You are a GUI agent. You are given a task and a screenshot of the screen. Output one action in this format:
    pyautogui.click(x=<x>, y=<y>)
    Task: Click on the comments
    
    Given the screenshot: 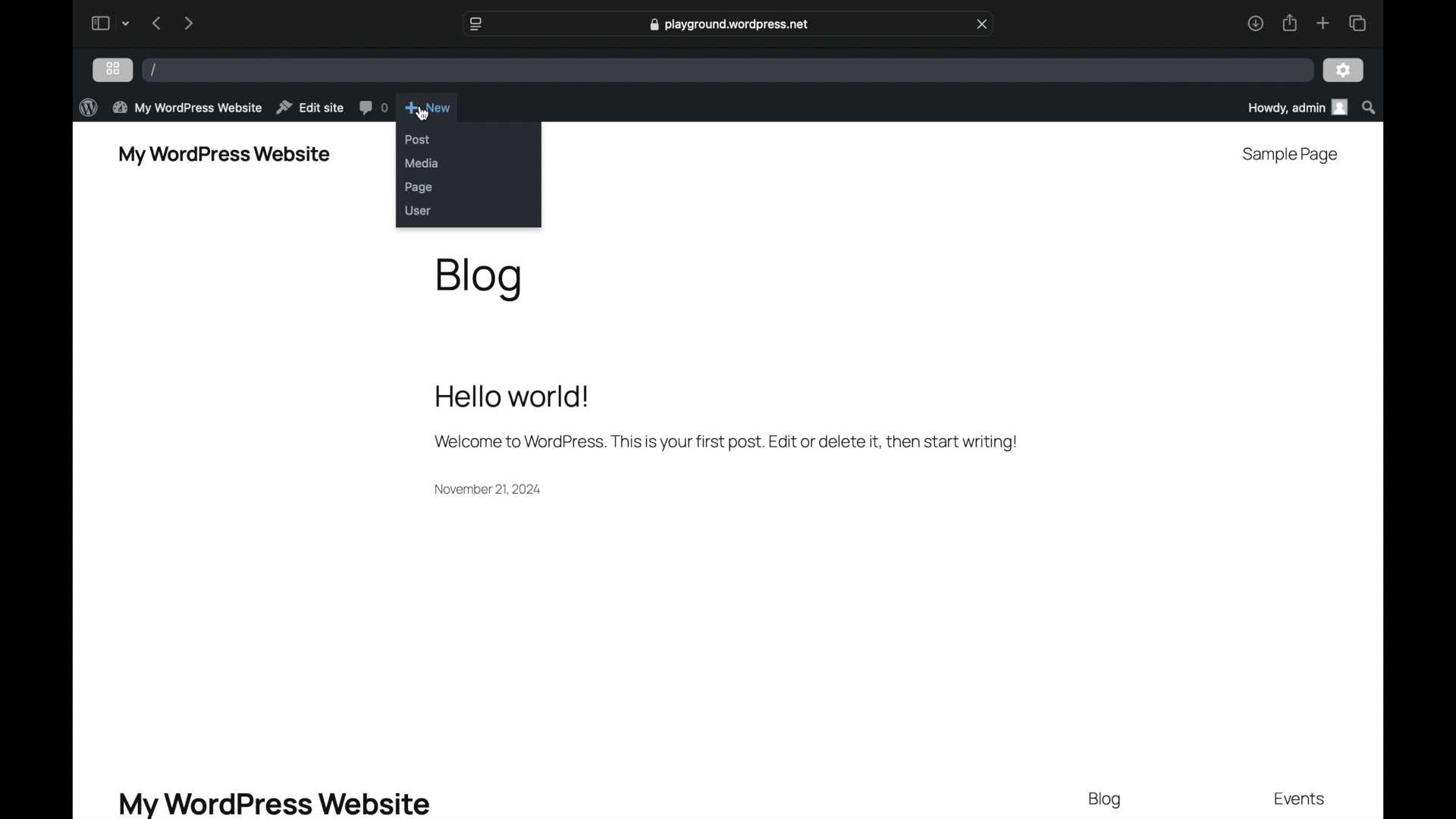 What is the action you would take?
    pyautogui.click(x=372, y=107)
    